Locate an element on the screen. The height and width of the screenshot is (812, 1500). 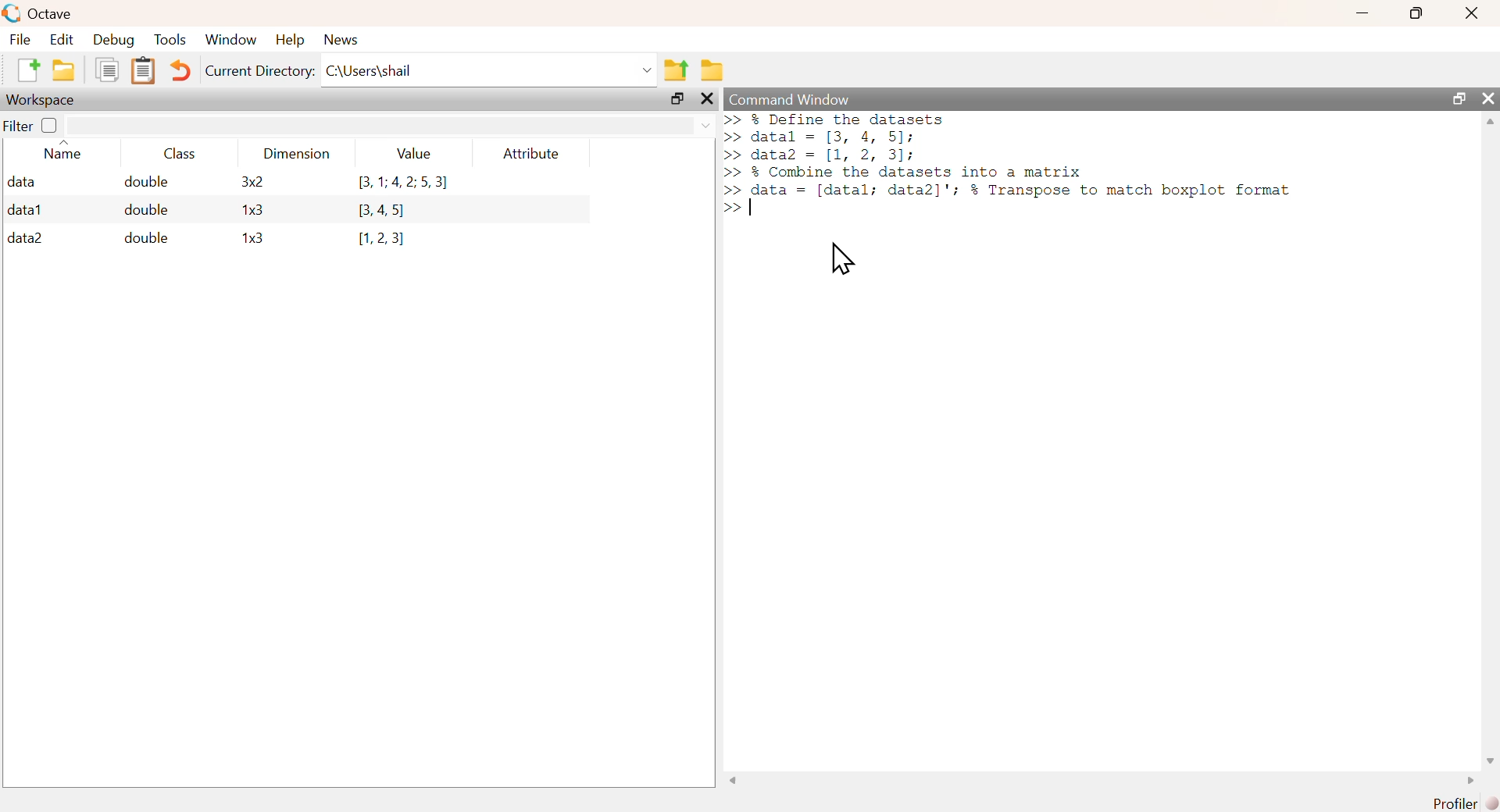
C:\Users\shail is located at coordinates (370, 69).